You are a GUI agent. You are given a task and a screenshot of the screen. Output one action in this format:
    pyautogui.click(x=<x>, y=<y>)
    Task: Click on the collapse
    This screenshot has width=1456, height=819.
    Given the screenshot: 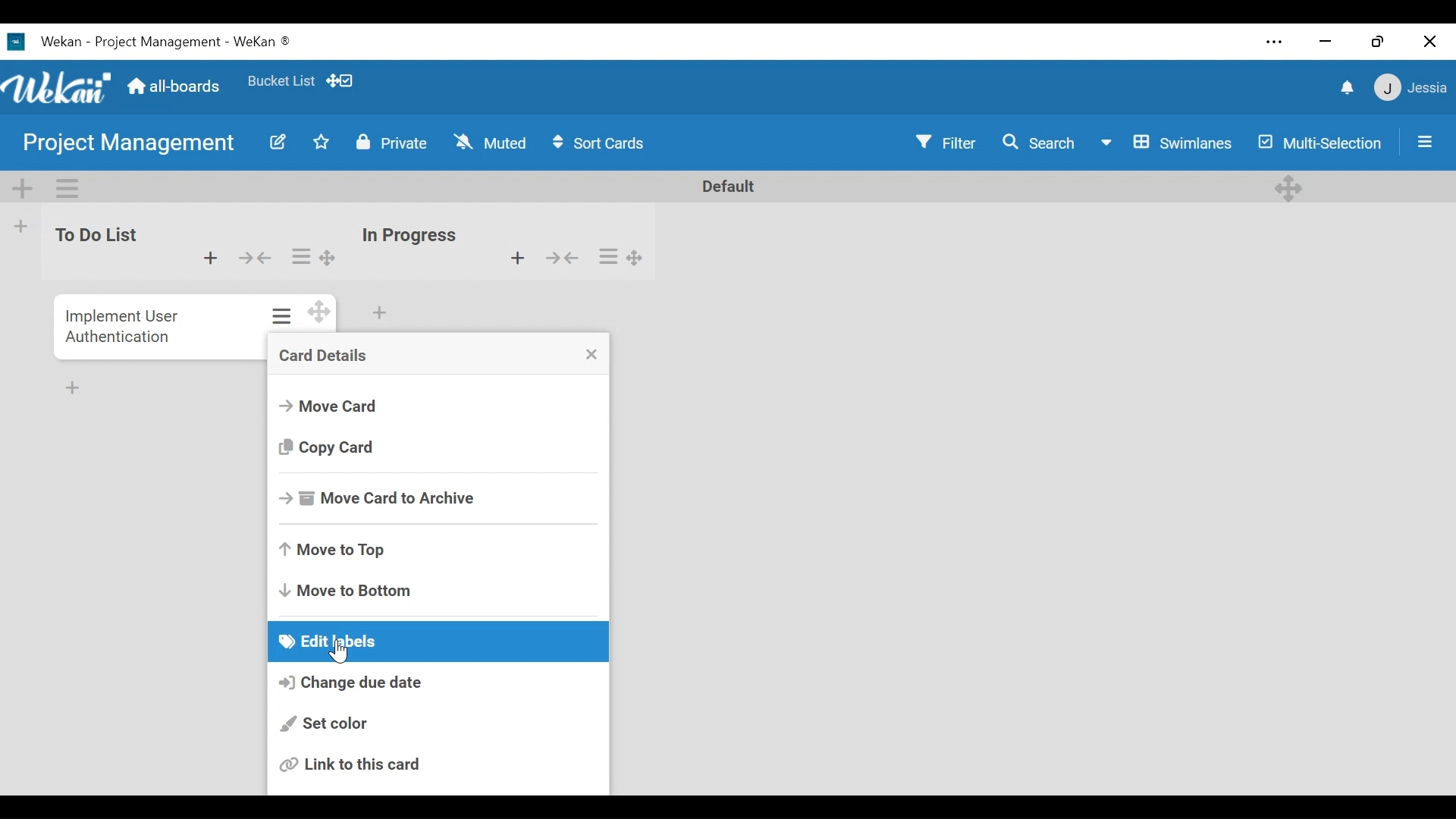 What is the action you would take?
    pyautogui.click(x=256, y=258)
    